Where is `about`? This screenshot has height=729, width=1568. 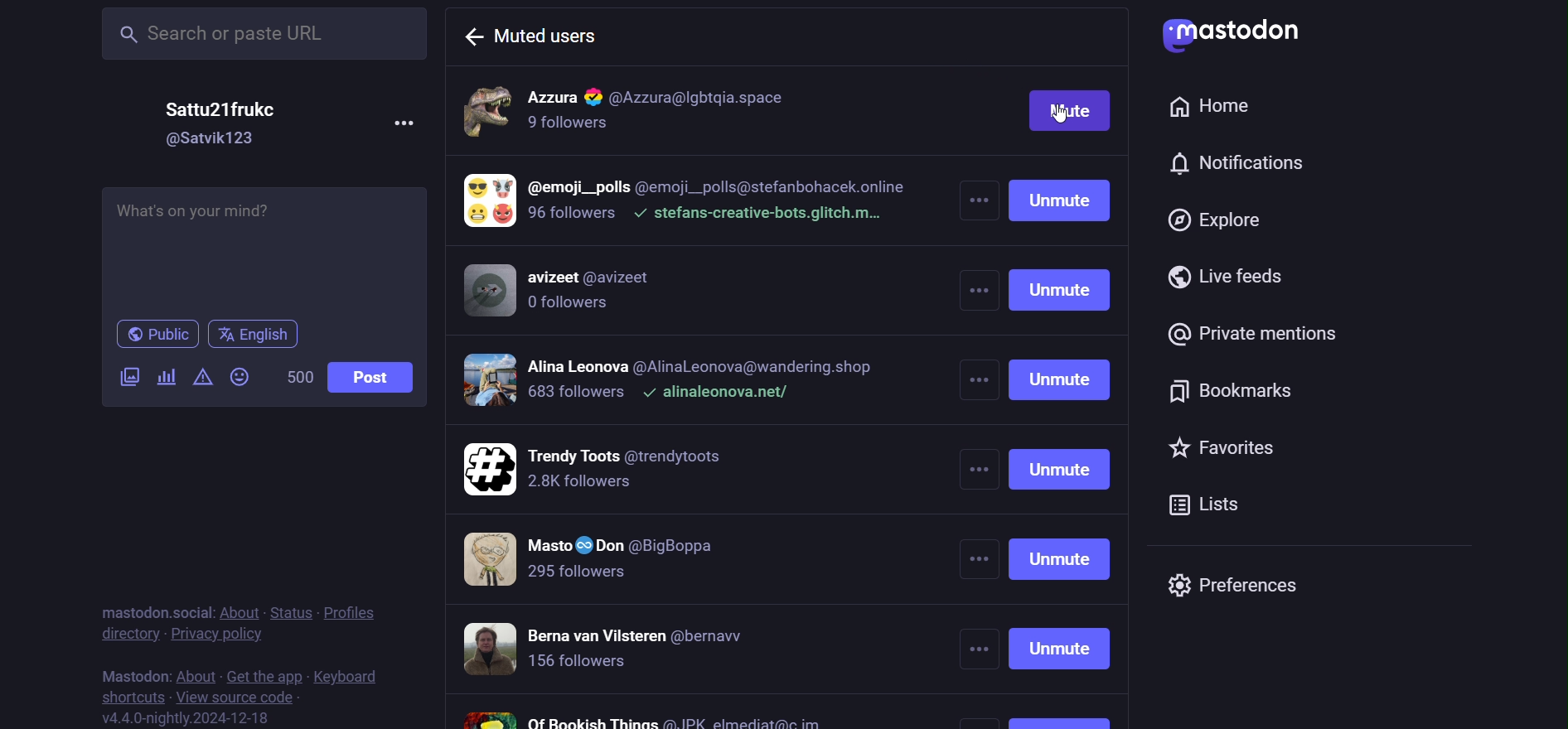
about is located at coordinates (195, 673).